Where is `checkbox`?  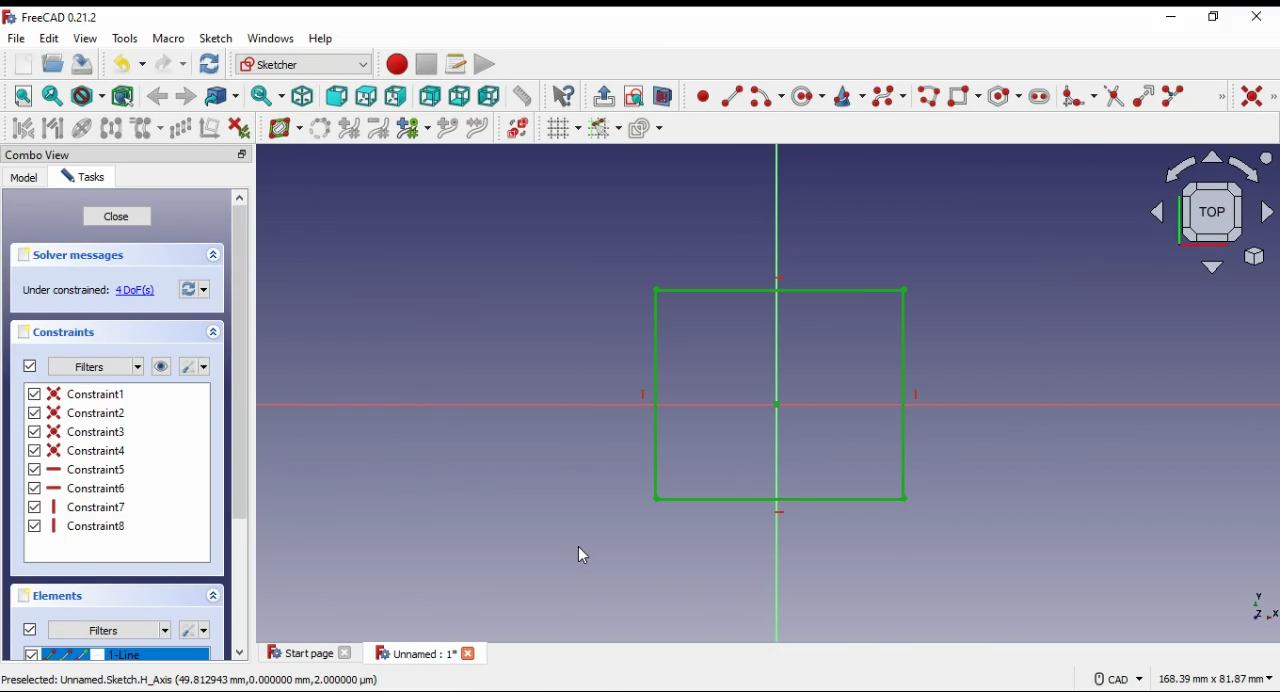
checkbox is located at coordinates (31, 655).